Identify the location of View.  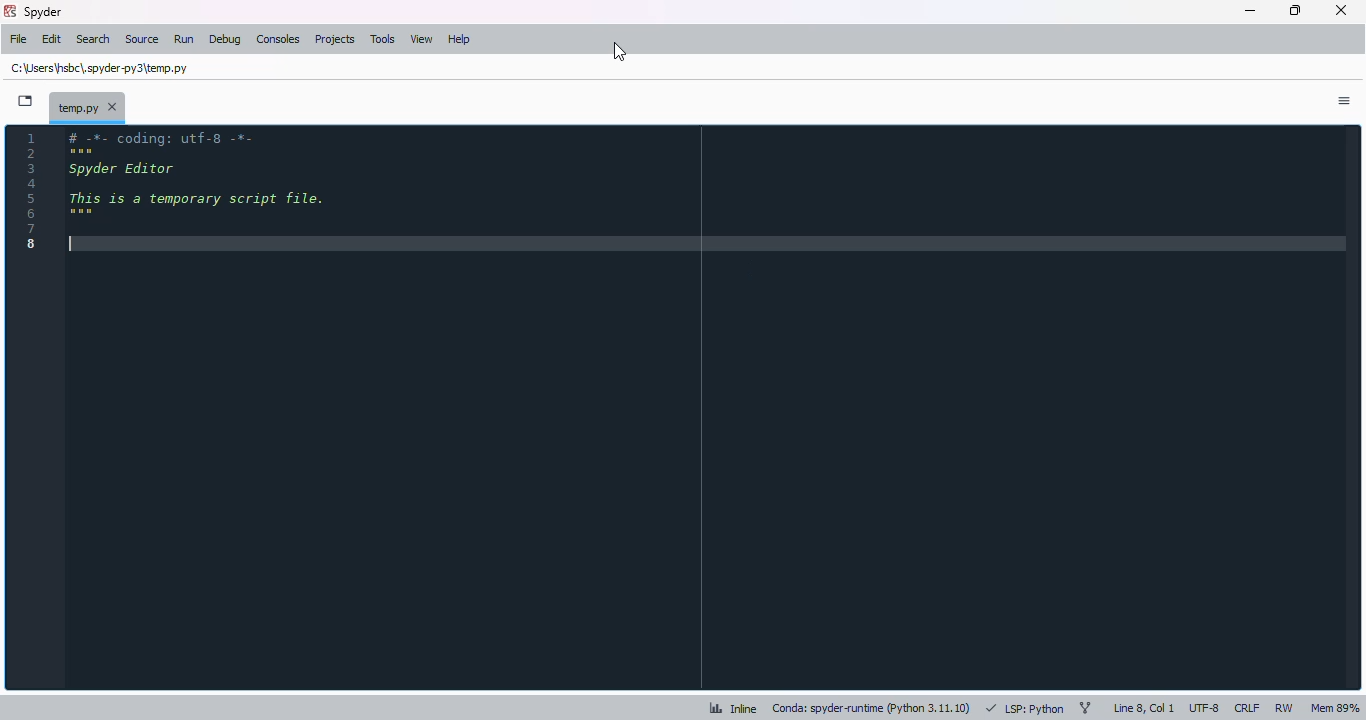
(421, 40).